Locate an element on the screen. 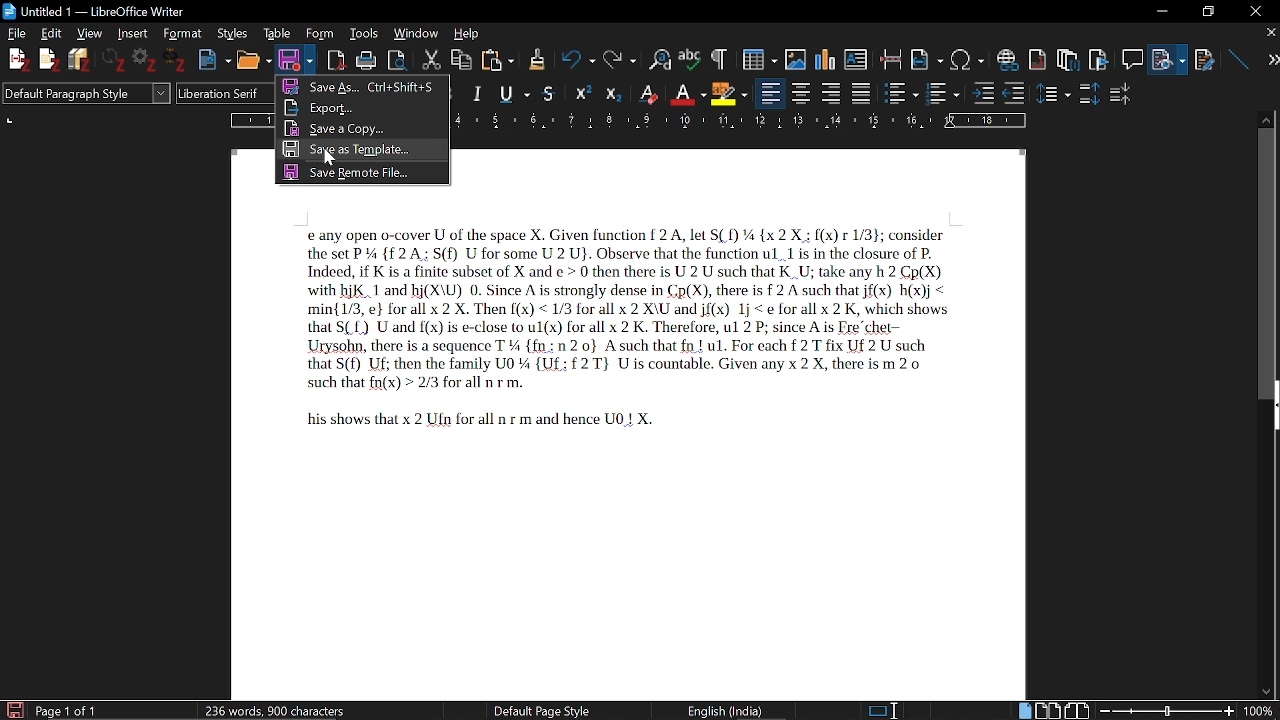 Image resolution: width=1280 pixels, height=720 pixels. Undo is located at coordinates (572, 59).